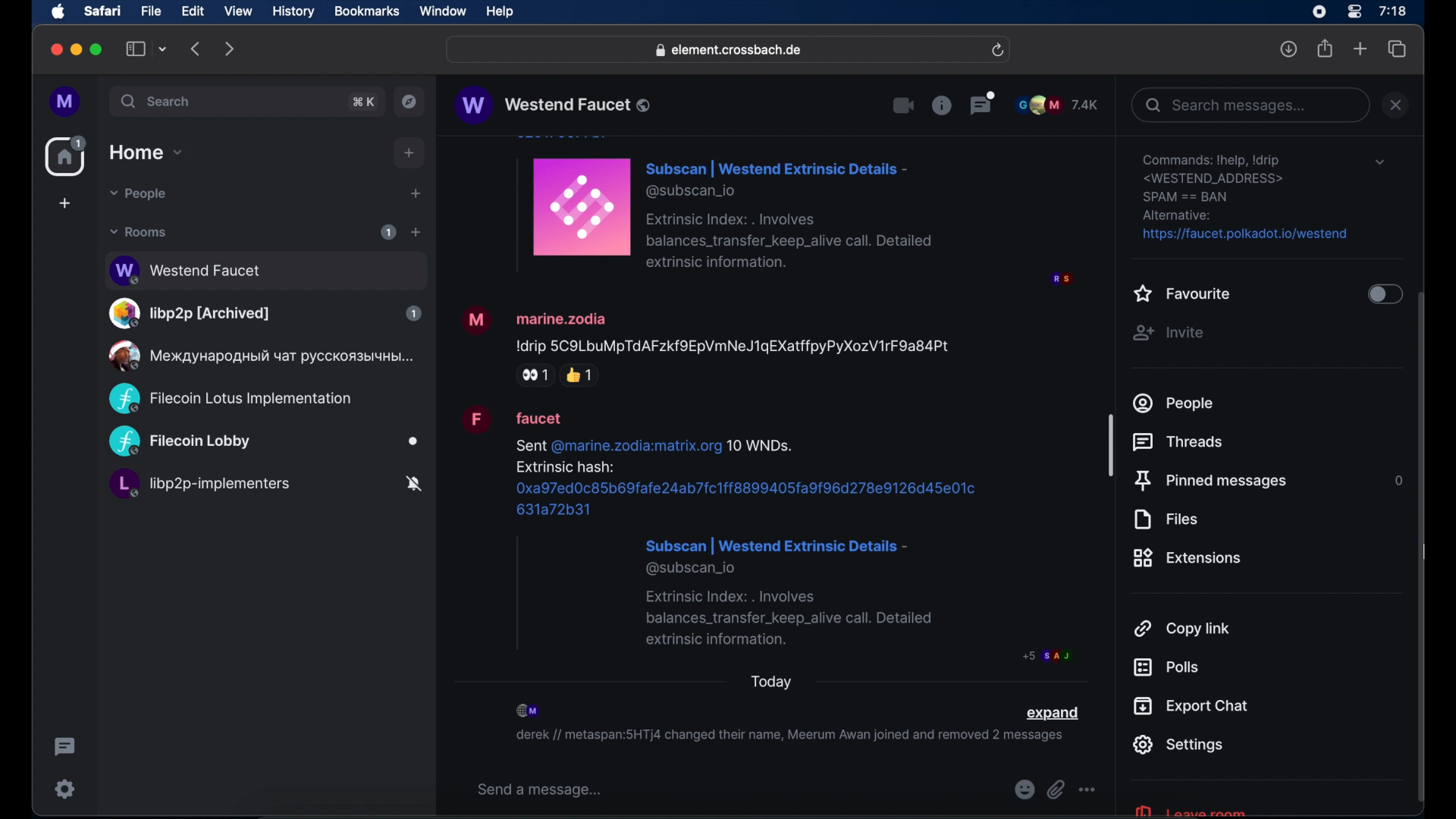 This screenshot has width=1456, height=819. What do you see at coordinates (1183, 627) in the screenshot?
I see `copy link` at bounding box center [1183, 627].